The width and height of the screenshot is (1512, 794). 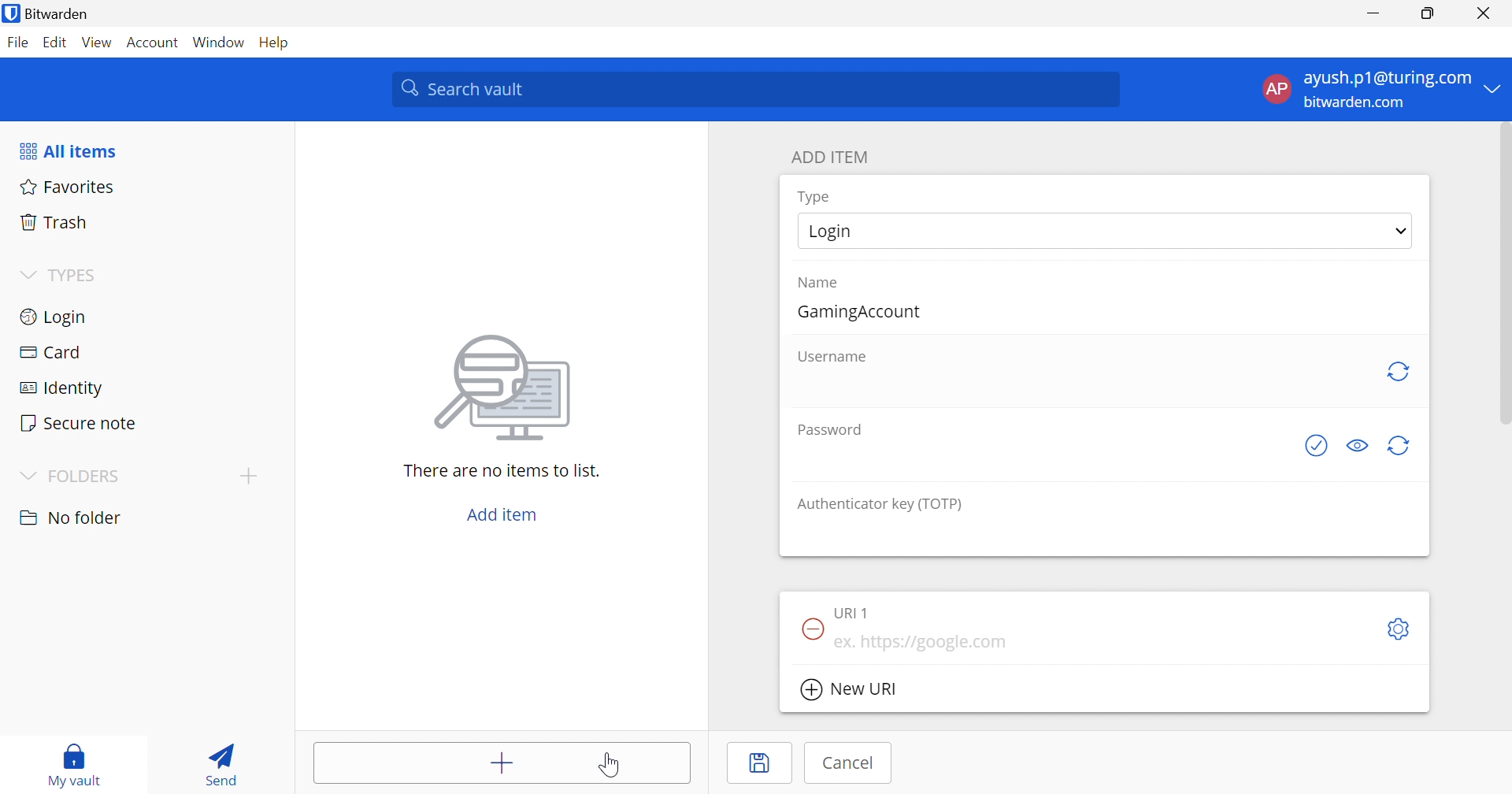 I want to click on Window, so click(x=218, y=43).